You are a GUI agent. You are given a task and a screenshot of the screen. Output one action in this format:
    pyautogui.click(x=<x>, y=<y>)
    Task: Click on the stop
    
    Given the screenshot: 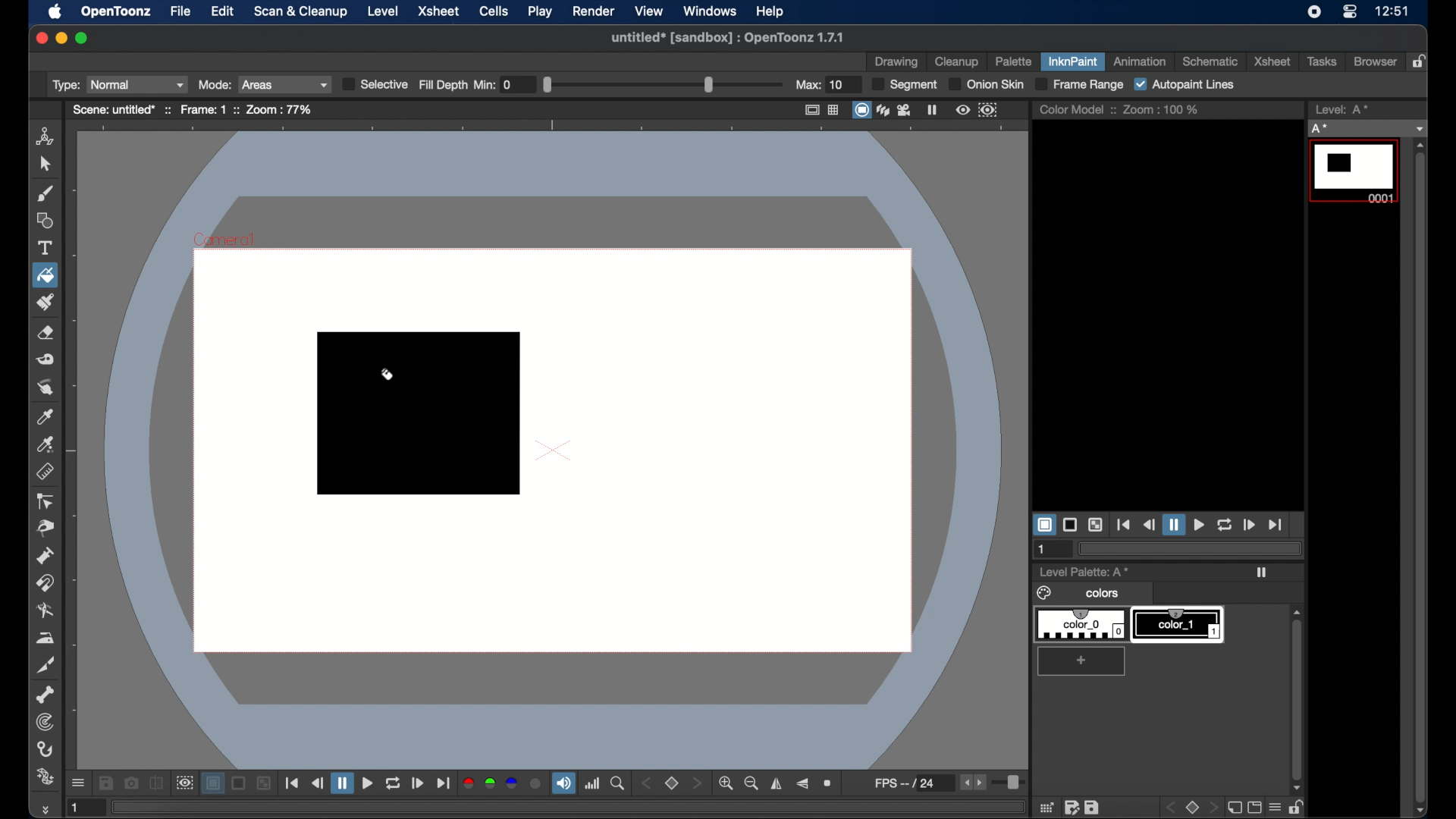 What is the action you would take?
    pyautogui.click(x=1194, y=807)
    